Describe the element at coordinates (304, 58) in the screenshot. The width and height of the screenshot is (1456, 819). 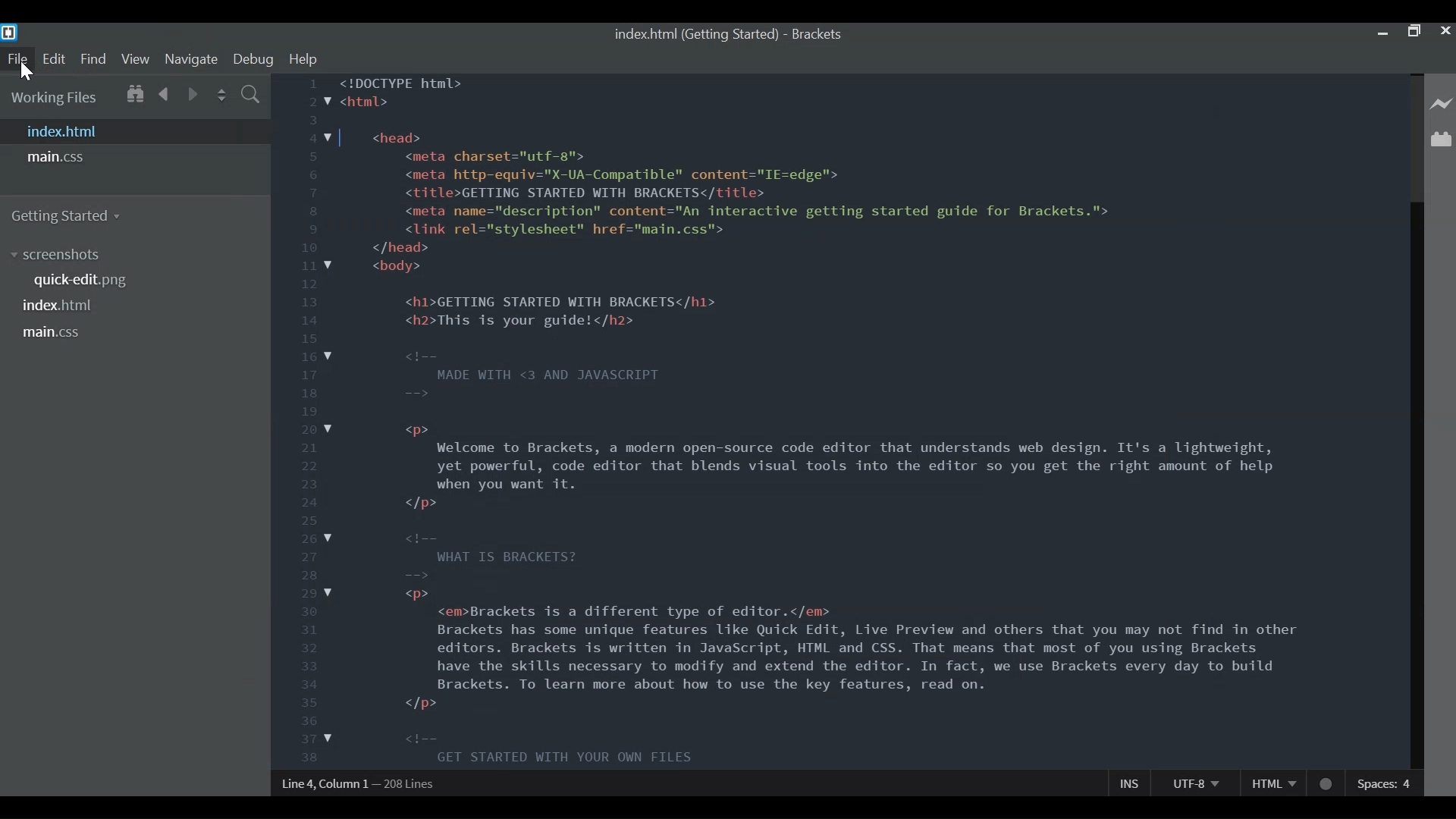
I see `Help` at that location.